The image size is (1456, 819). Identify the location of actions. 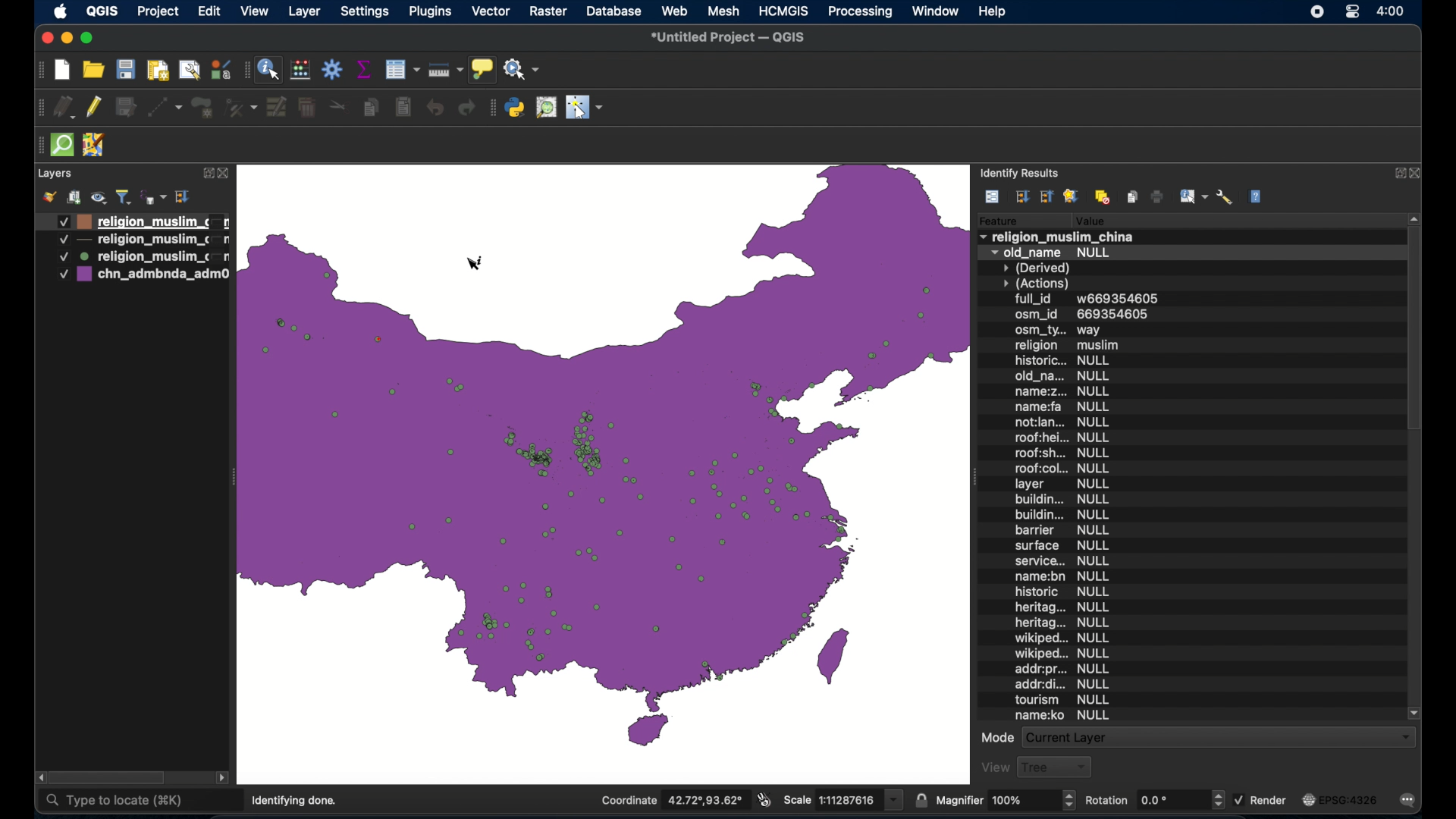
(1038, 284).